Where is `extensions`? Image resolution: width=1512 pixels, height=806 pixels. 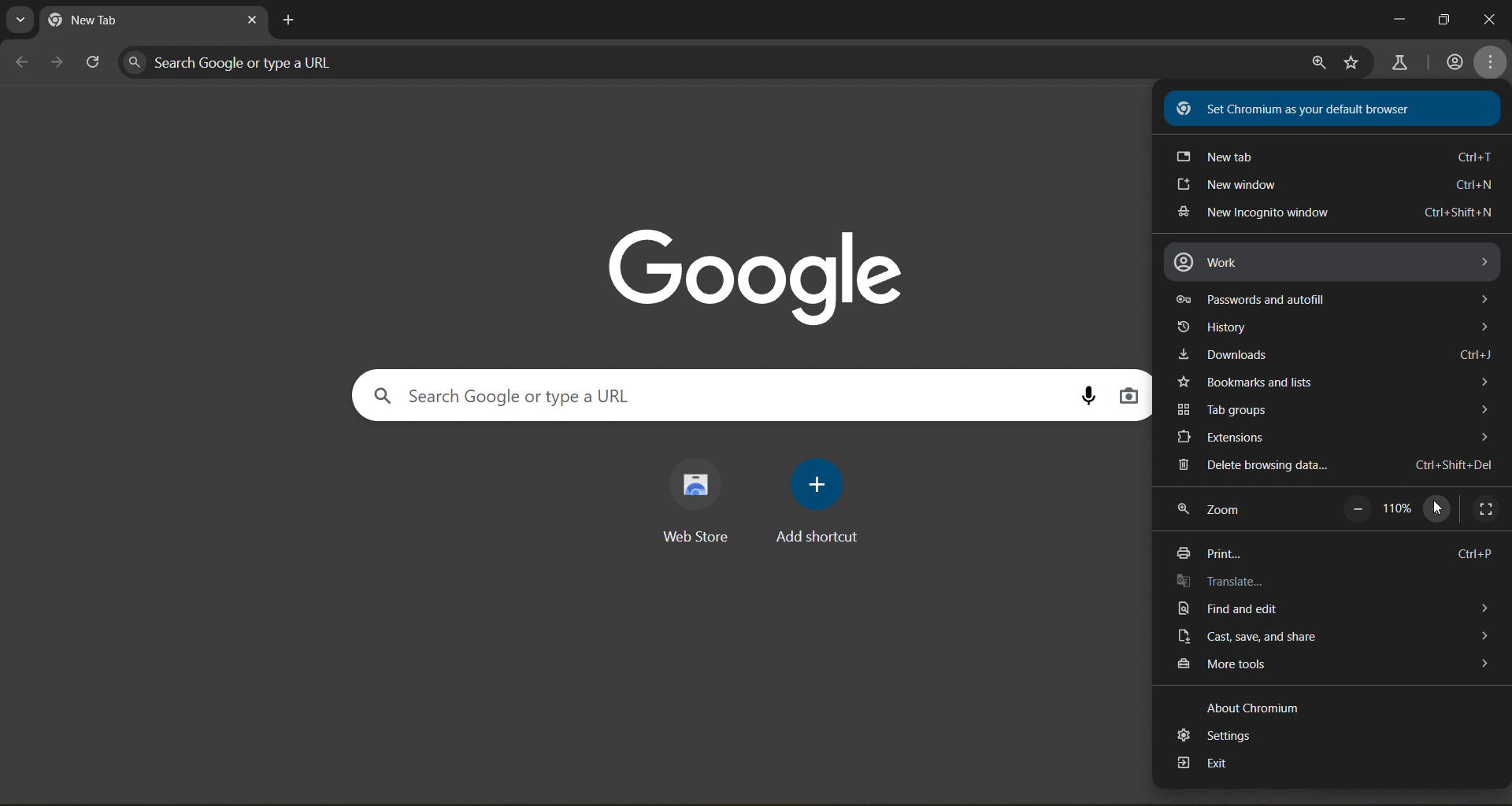
extensions is located at coordinates (1329, 438).